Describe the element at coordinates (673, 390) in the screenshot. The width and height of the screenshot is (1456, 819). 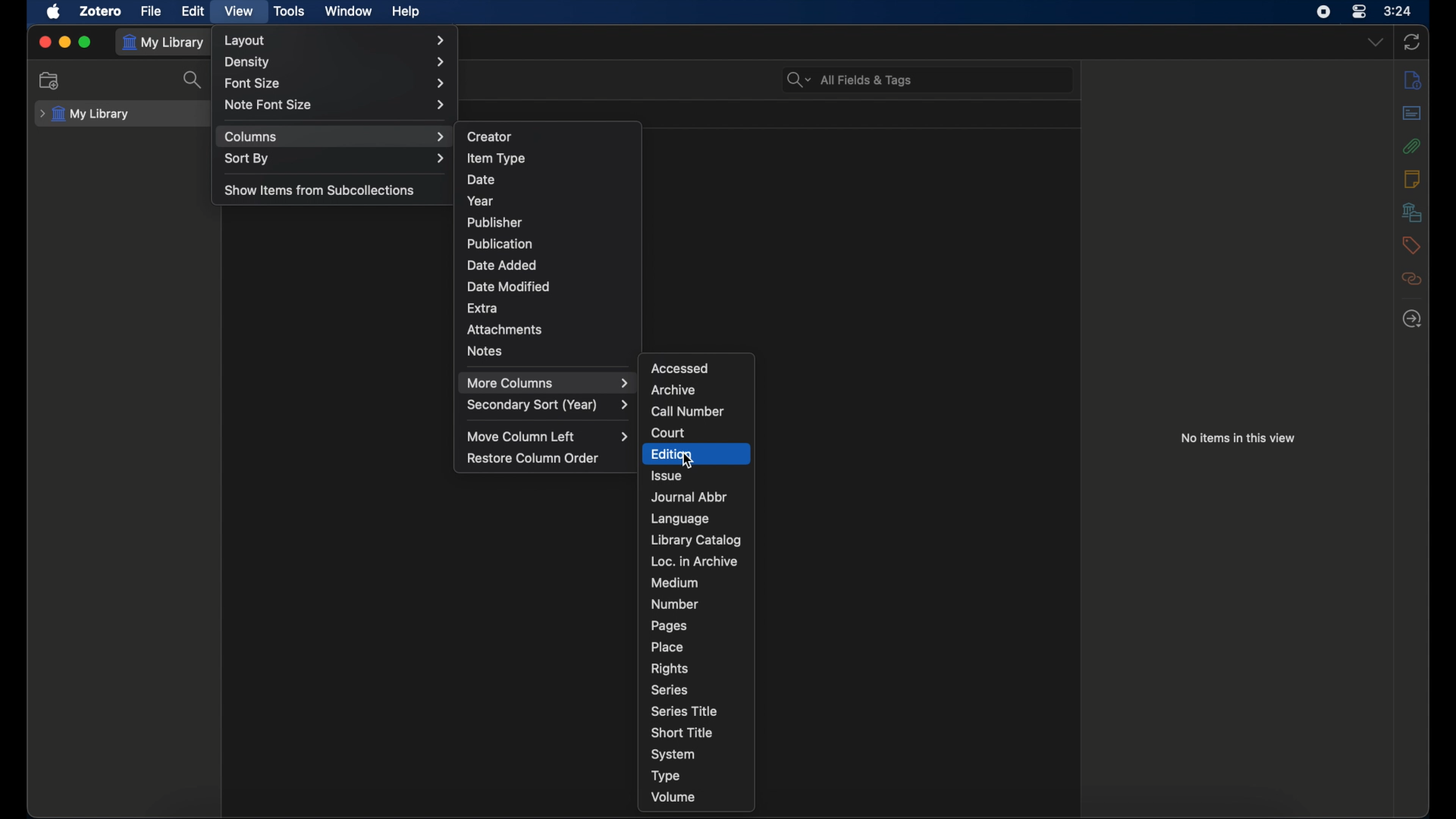
I see `archive` at that location.